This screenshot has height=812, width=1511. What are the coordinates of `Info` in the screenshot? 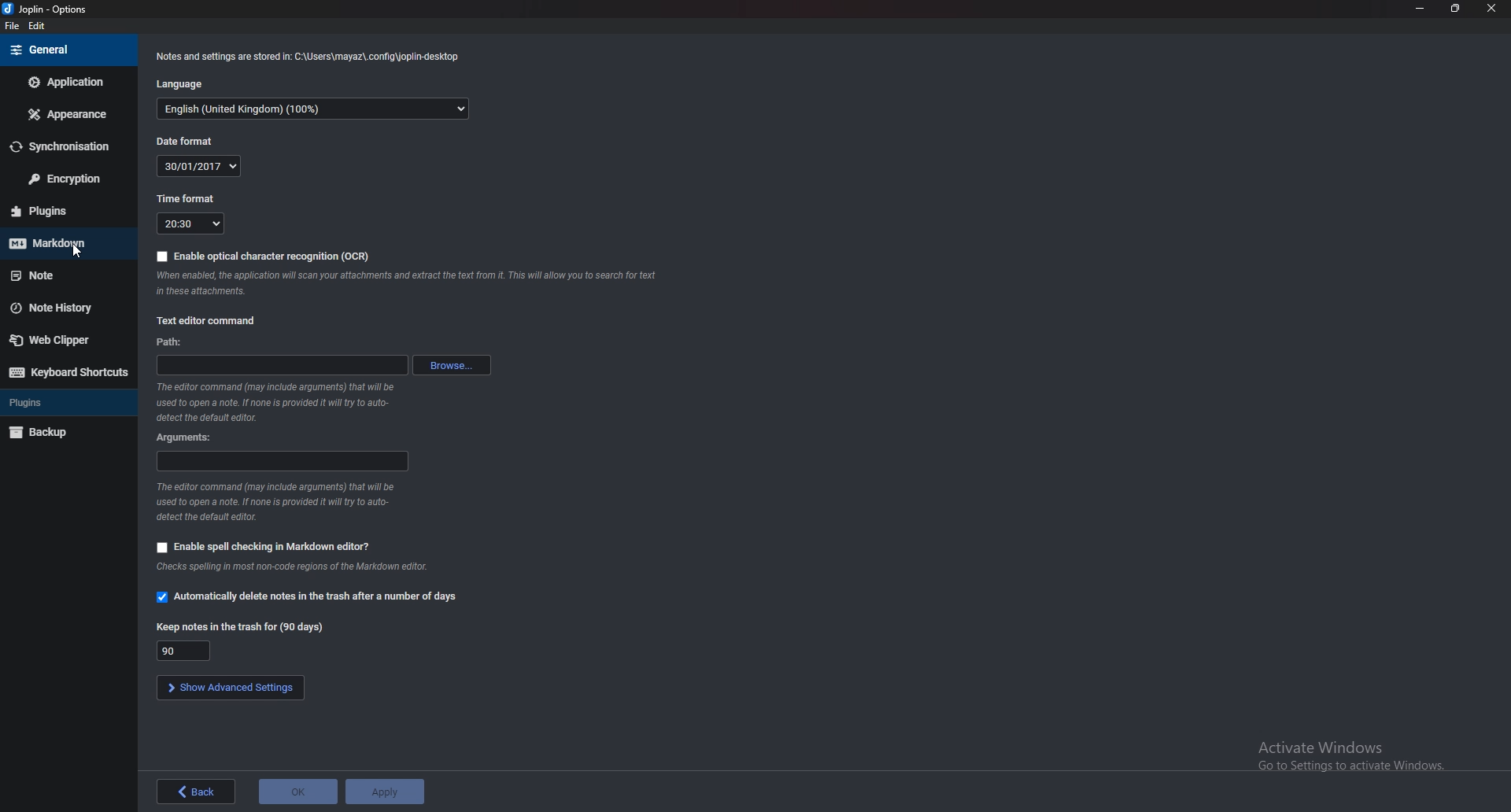 It's located at (280, 403).